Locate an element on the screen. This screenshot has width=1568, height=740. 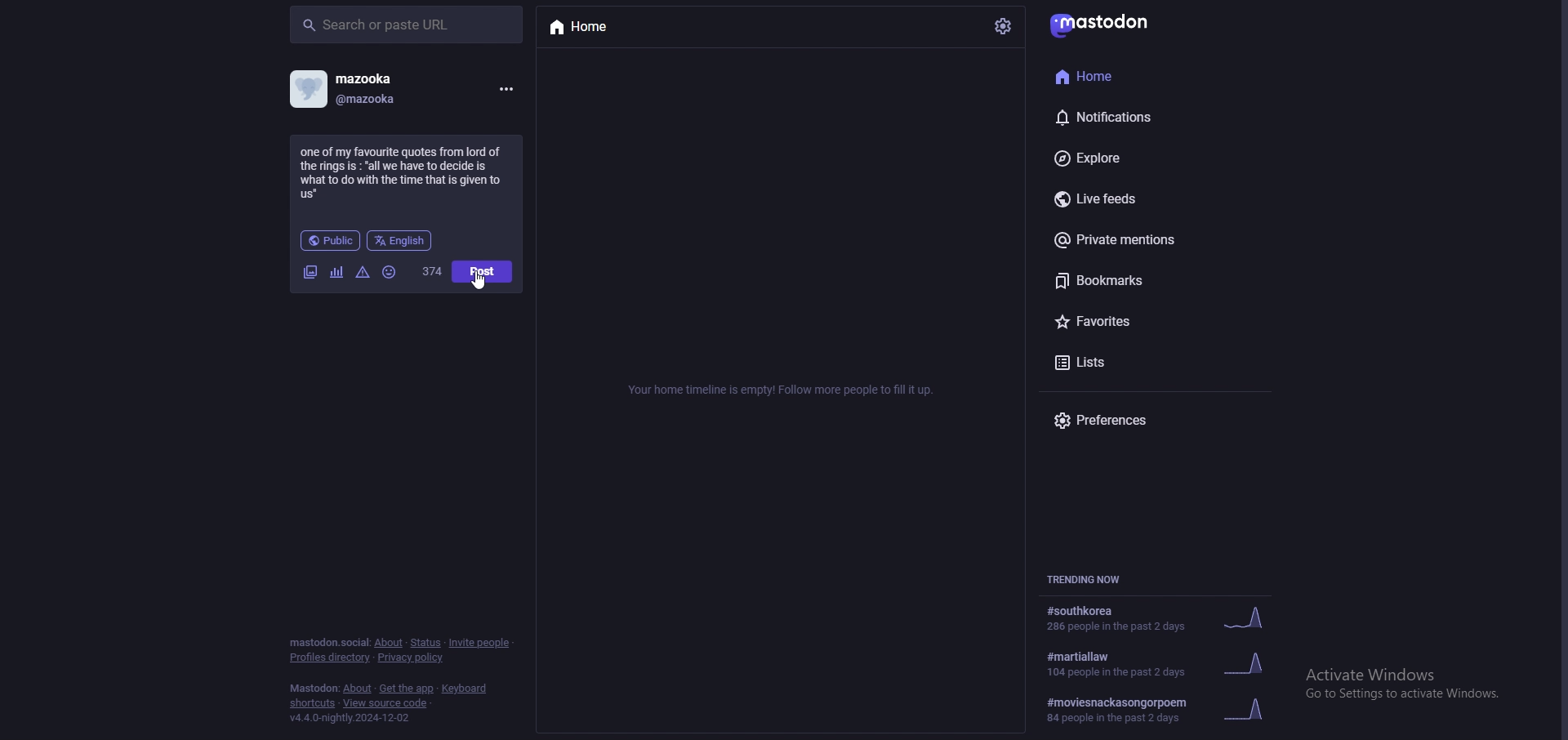
keyboard is located at coordinates (466, 689).